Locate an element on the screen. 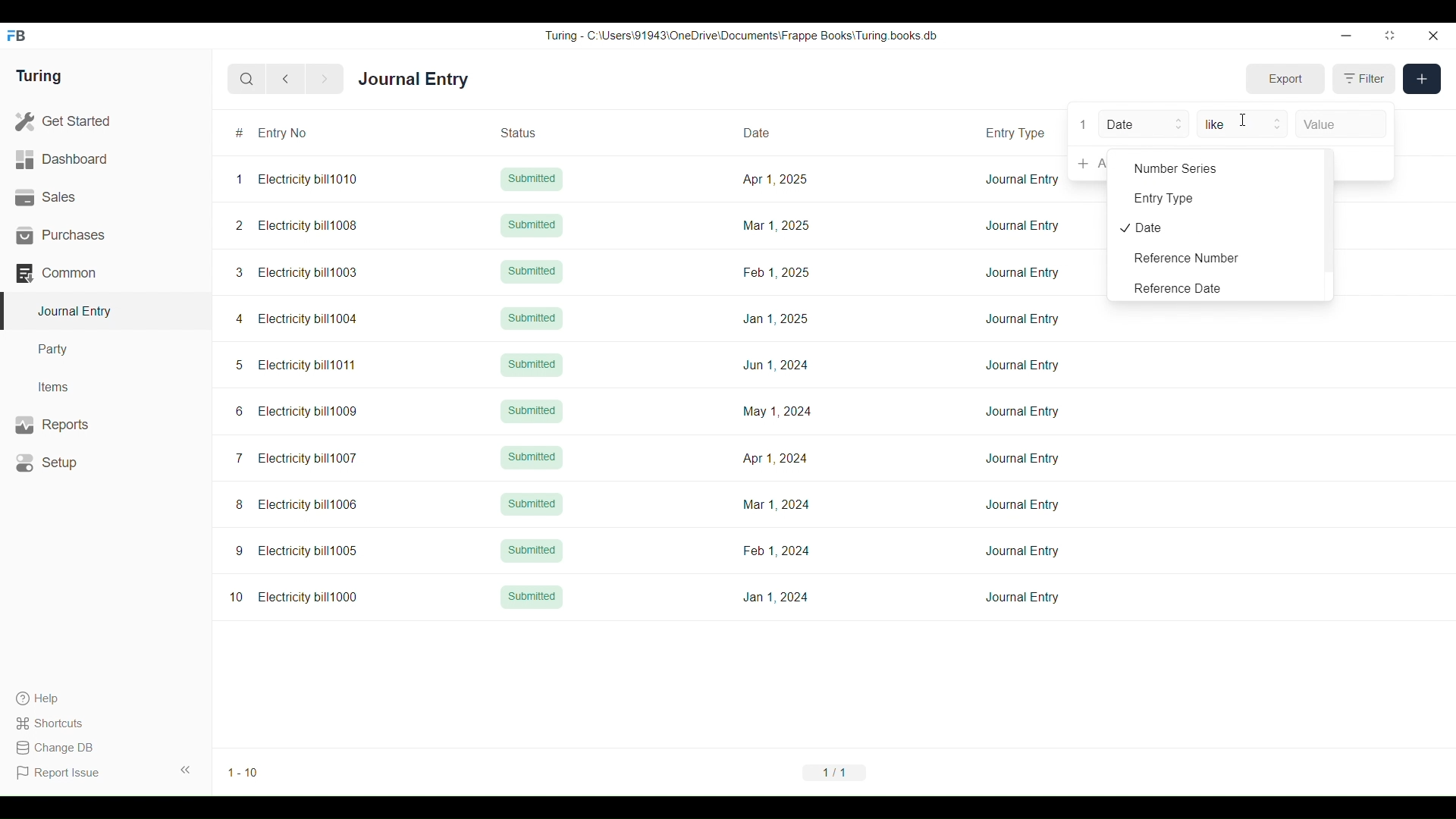 The height and width of the screenshot is (819, 1456). Date is located at coordinates (1216, 227).